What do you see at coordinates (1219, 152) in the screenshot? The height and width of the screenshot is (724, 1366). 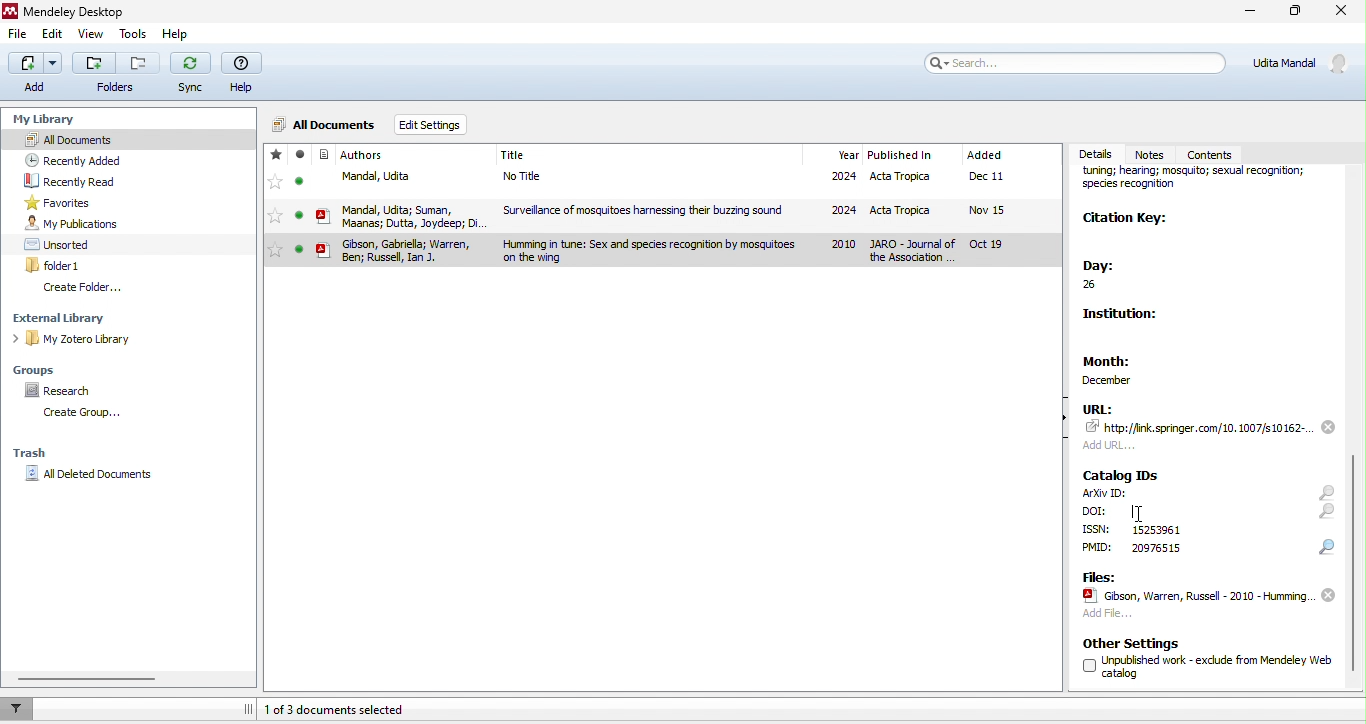 I see `contents` at bounding box center [1219, 152].